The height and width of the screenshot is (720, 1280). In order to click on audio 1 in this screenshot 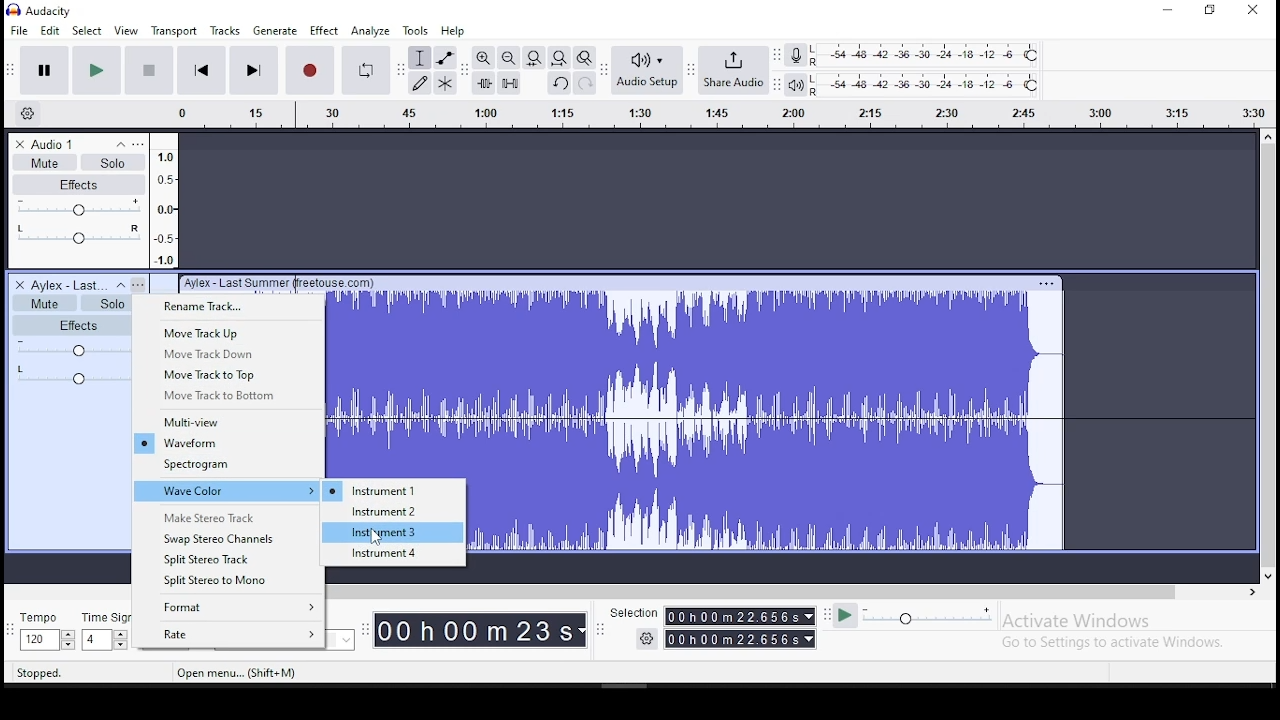, I will do `click(55, 144)`.